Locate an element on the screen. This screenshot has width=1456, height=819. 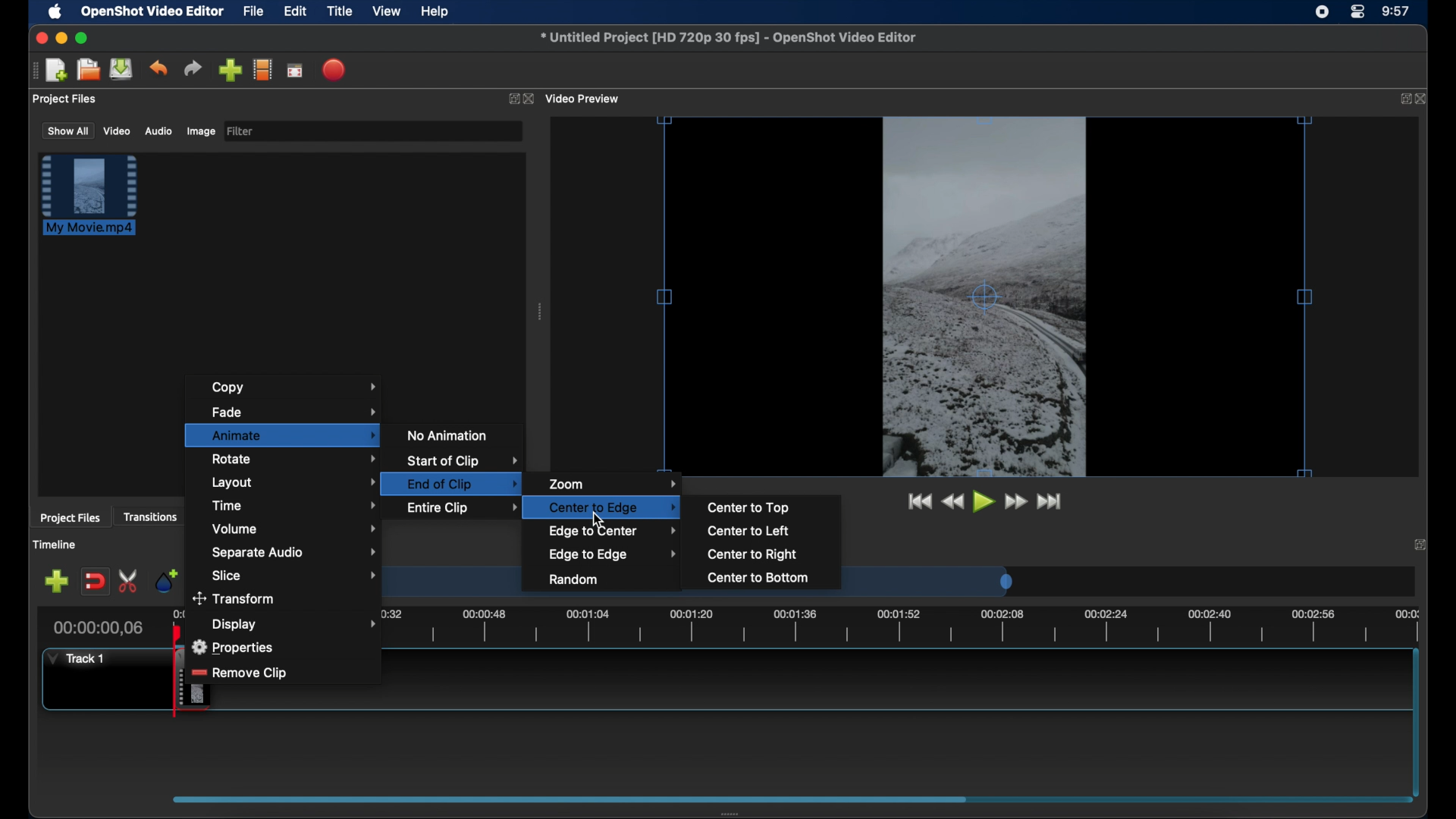
import files is located at coordinates (230, 71).